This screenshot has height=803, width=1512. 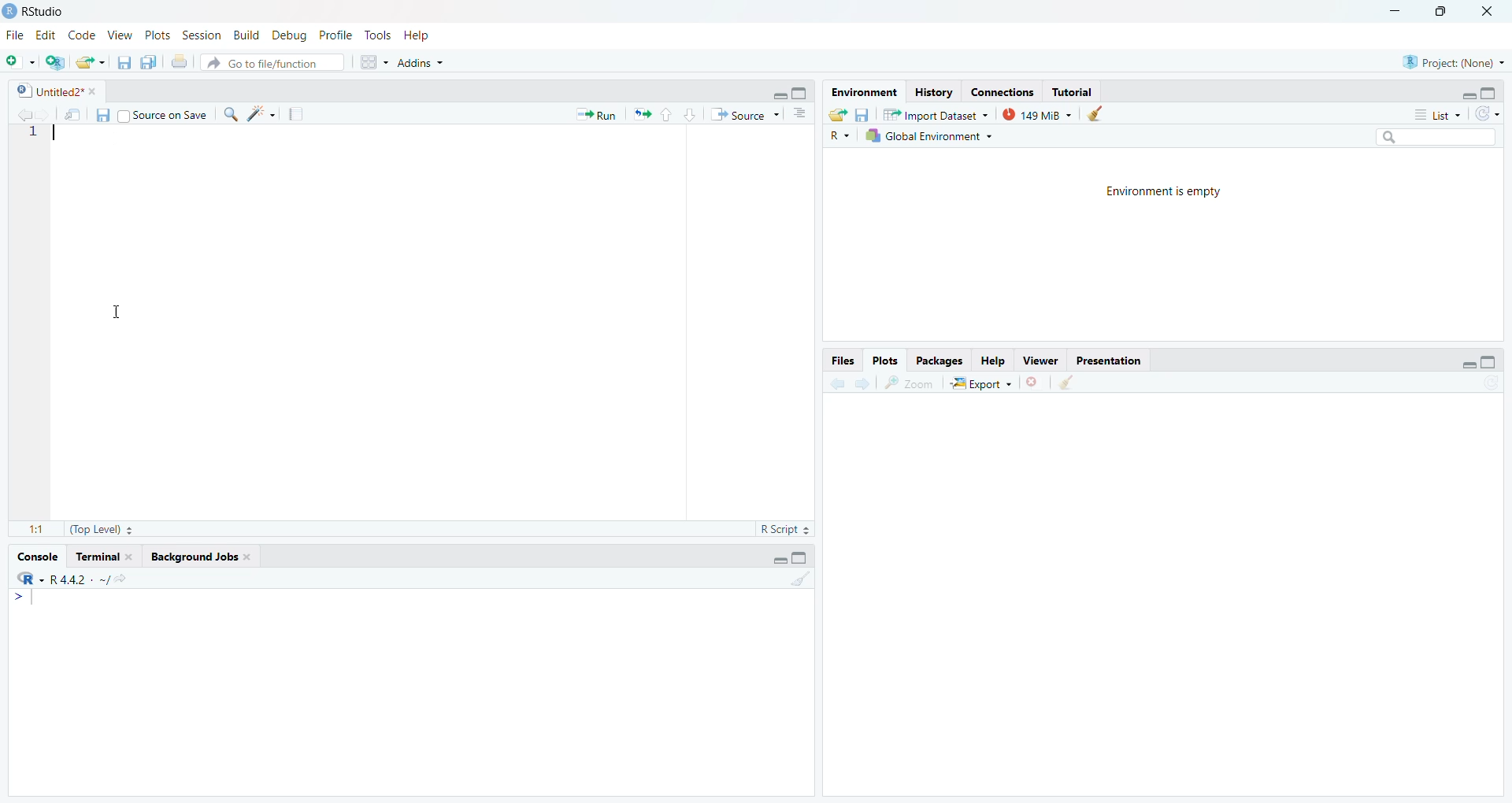 I want to click on Maximize/Restore, so click(x=1445, y=12).